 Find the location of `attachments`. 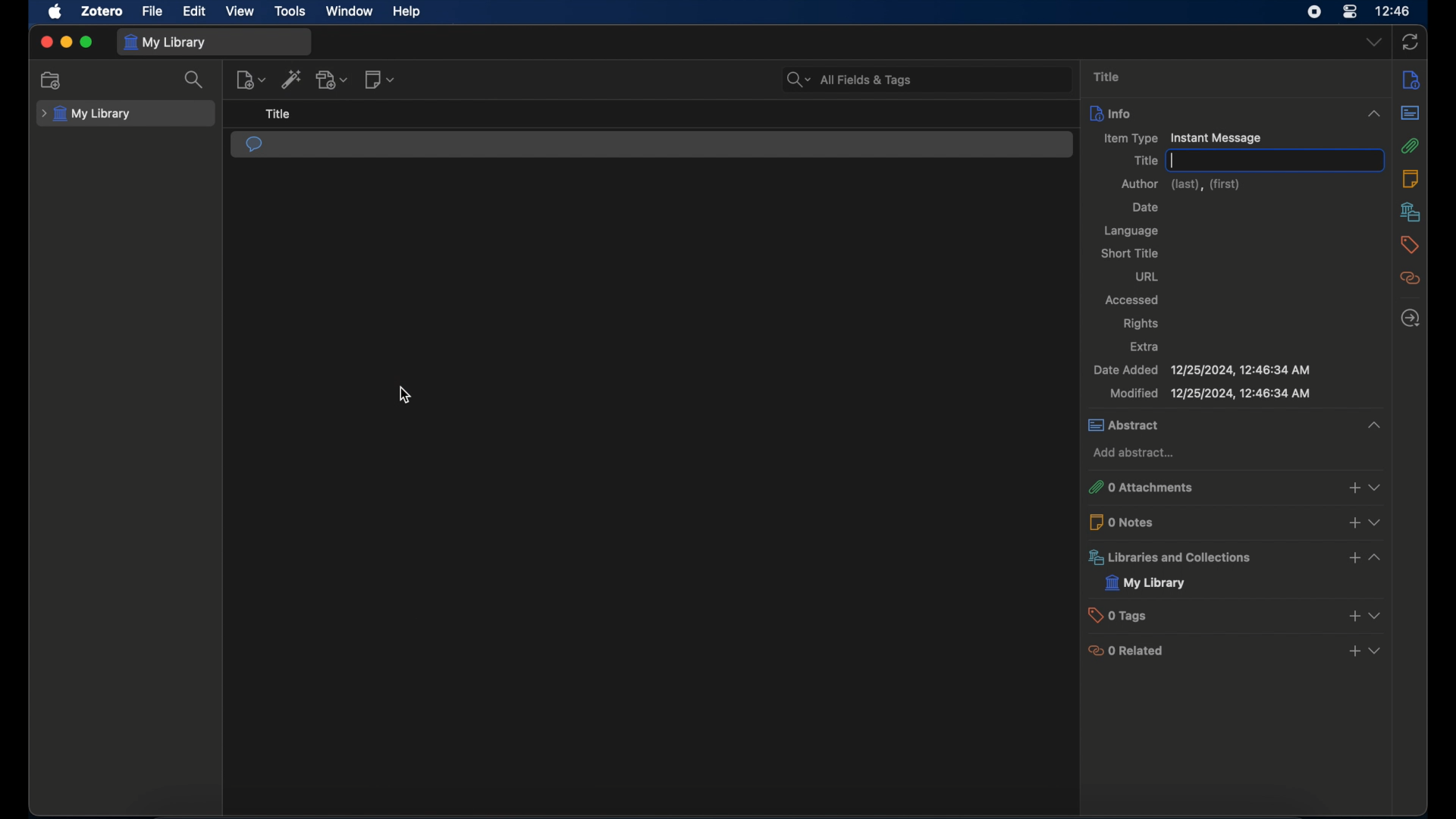

attachments is located at coordinates (1411, 146).